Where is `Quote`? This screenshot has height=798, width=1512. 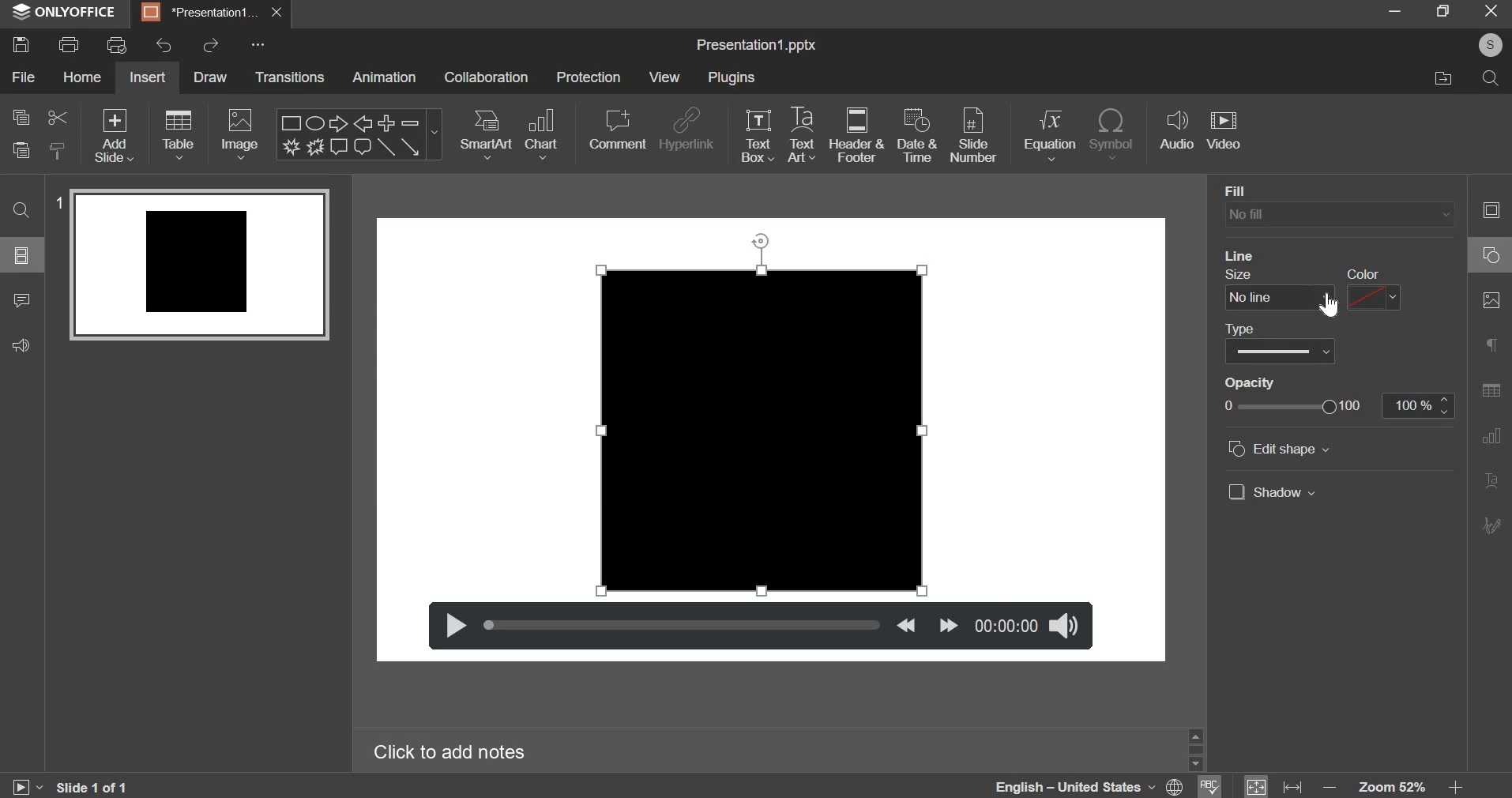 Quote is located at coordinates (1489, 347).